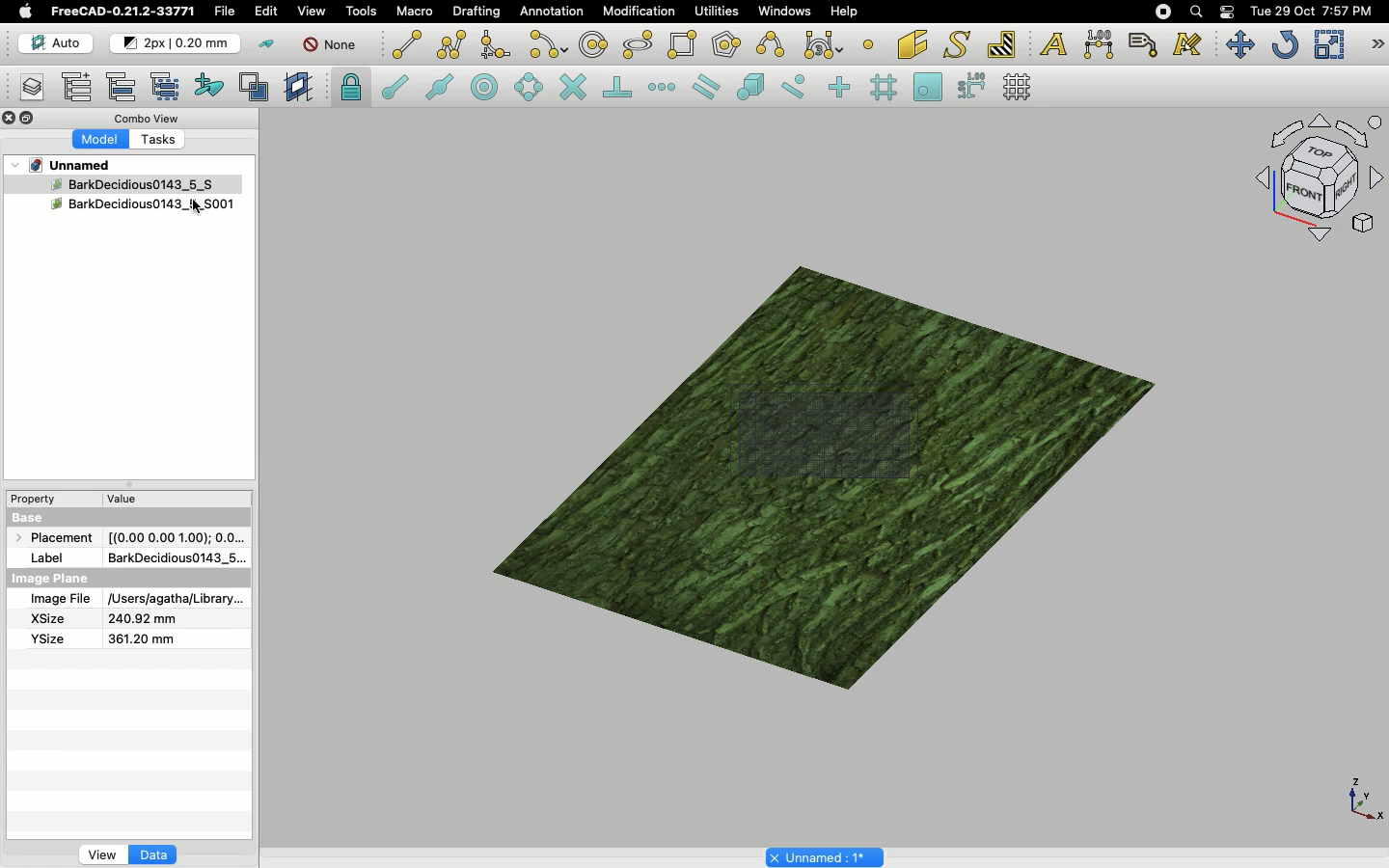 The height and width of the screenshot is (868, 1389). I want to click on Bezier tools, so click(826, 44).